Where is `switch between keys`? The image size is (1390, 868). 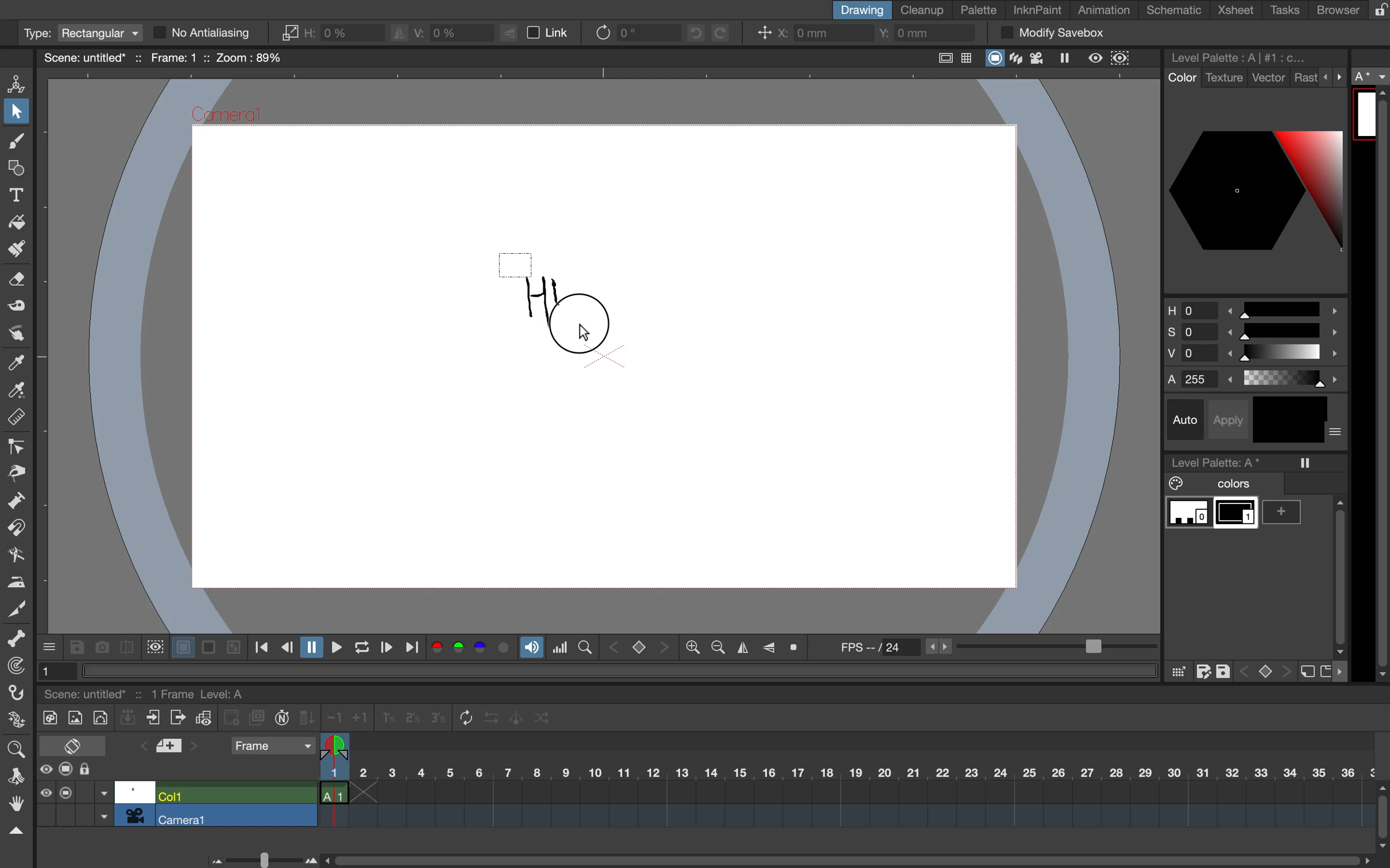 switch between keys is located at coordinates (638, 646).